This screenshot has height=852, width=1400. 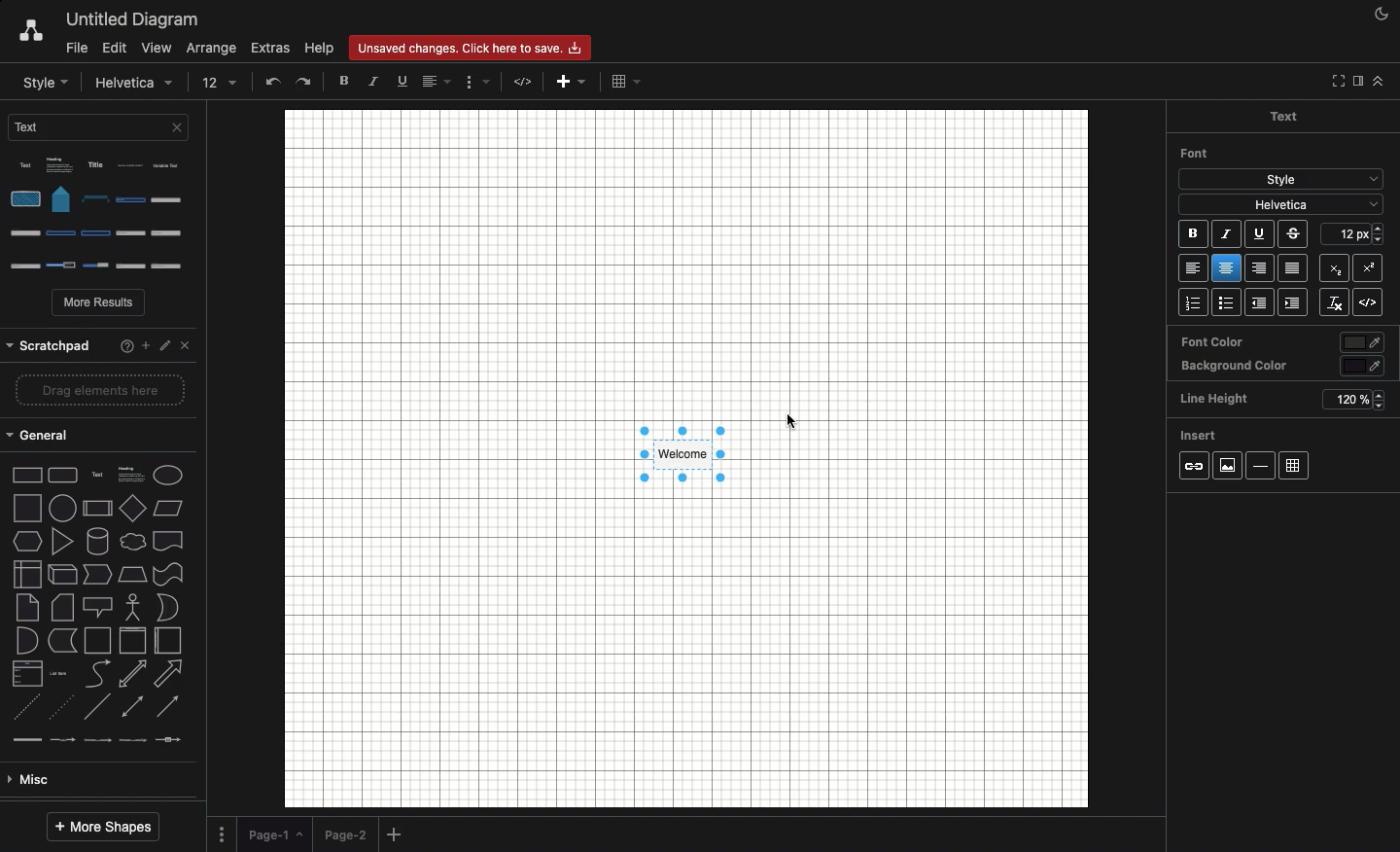 I want to click on Delete, so click(x=305, y=81).